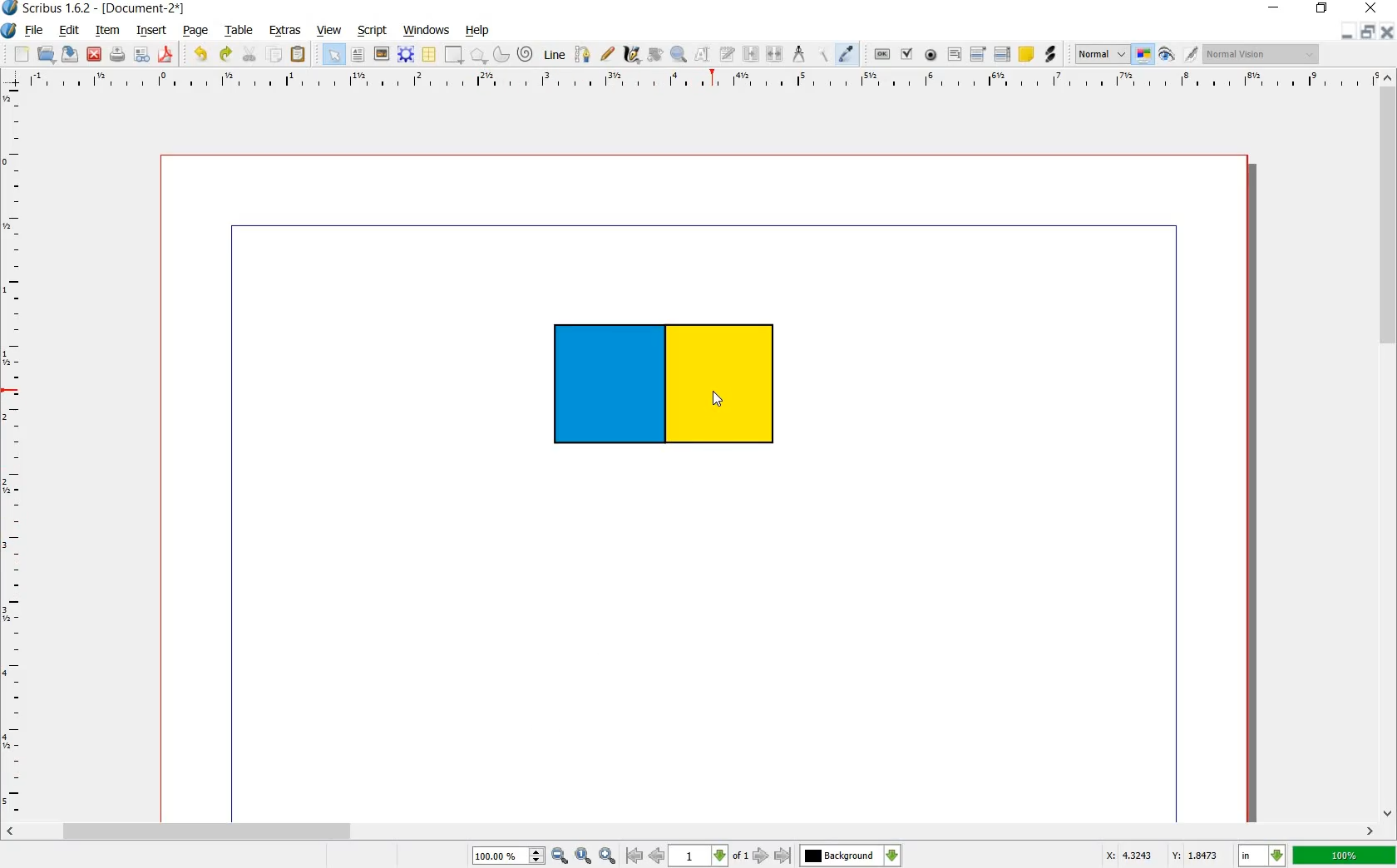 The height and width of the screenshot is (868, 1397). Describe the element at coordinates (285, 31) in the screenshot. I see `extras` at that location.